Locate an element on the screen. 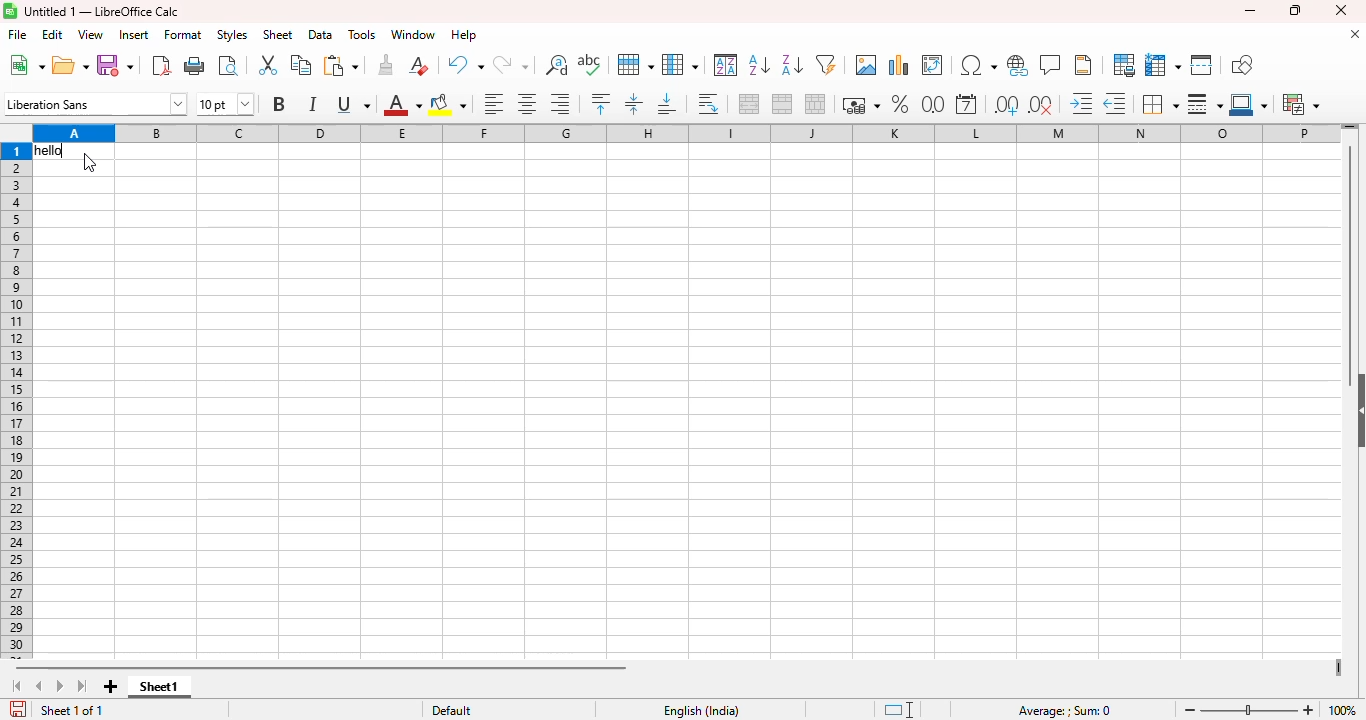  standard selection is located at coordinates (899, 710).